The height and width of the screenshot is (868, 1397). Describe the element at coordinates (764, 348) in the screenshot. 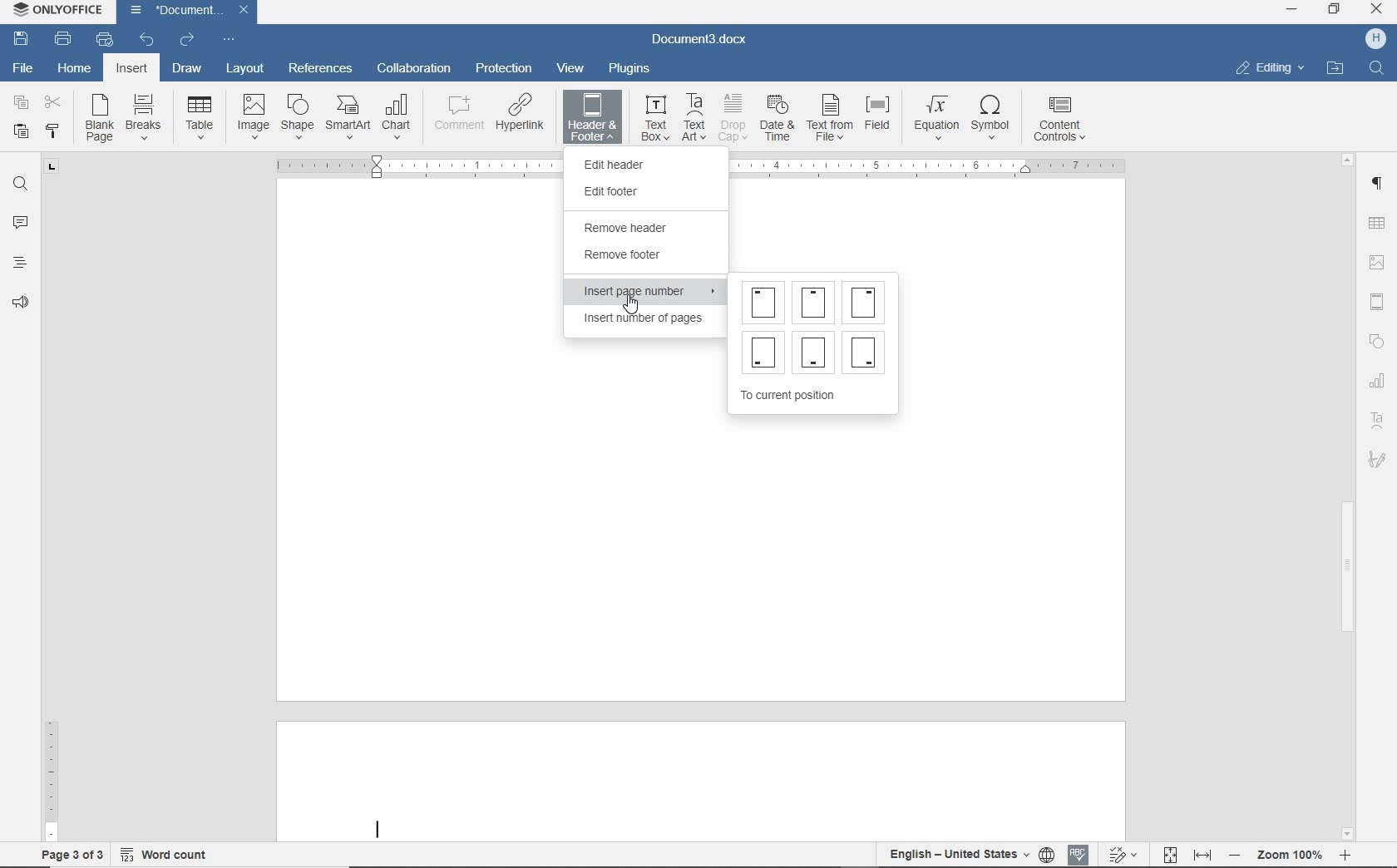

I see `Page number at bottom left` at that location.